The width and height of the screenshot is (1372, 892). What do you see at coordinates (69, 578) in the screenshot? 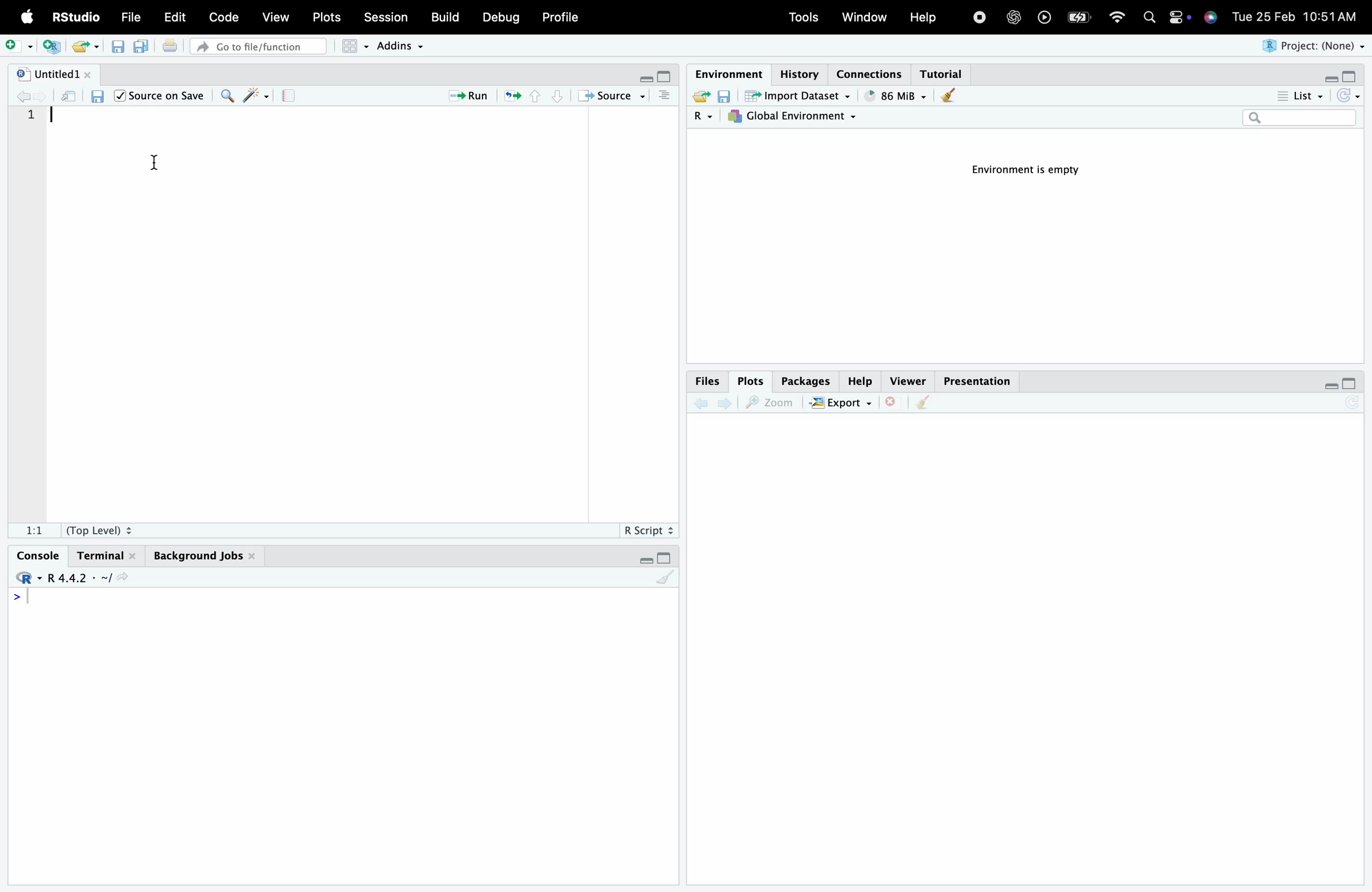
I see `R.4.4.2 ` at bounding box center [69, 578].